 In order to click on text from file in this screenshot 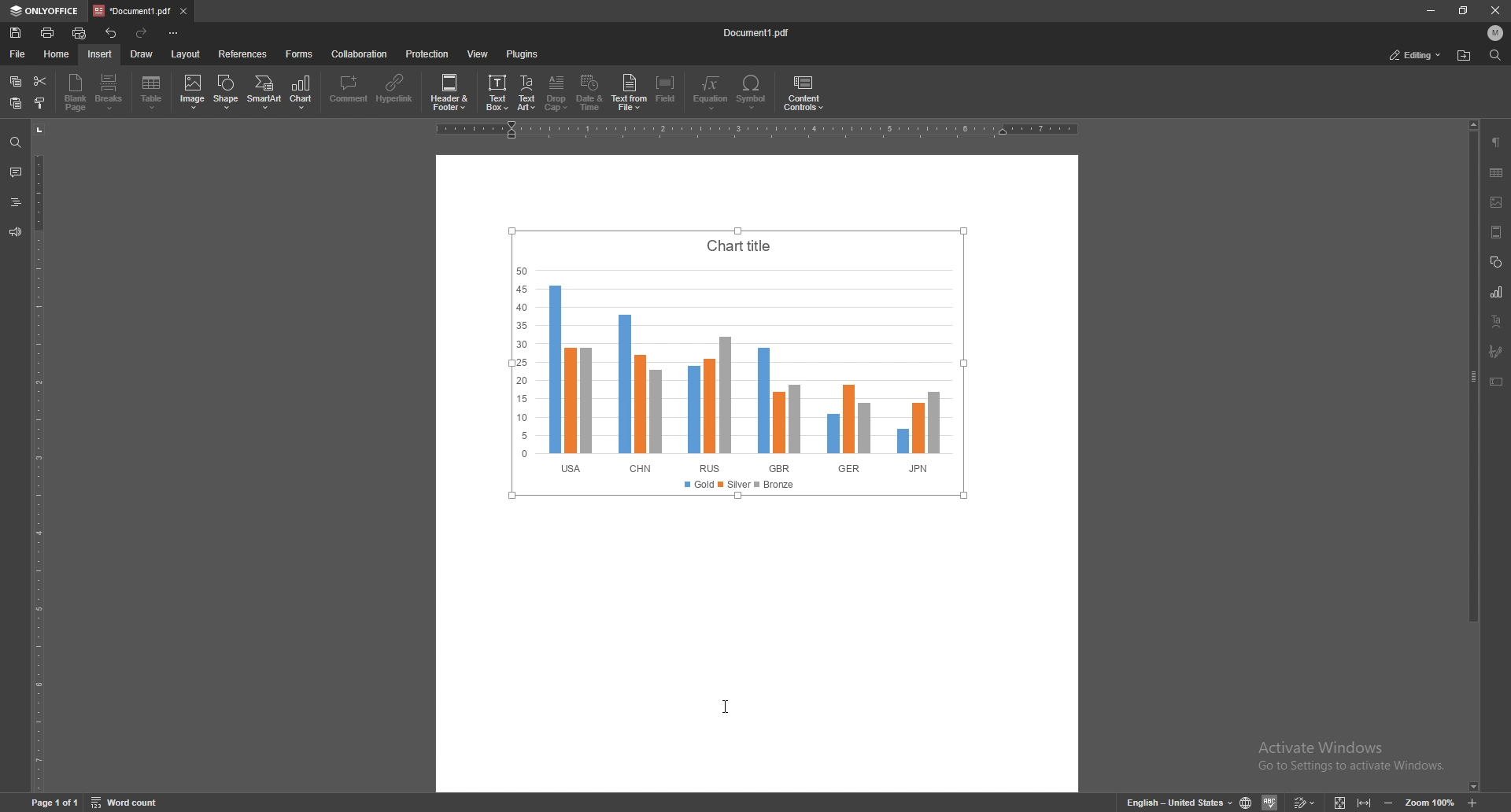, I will do `click(631, 92)`.